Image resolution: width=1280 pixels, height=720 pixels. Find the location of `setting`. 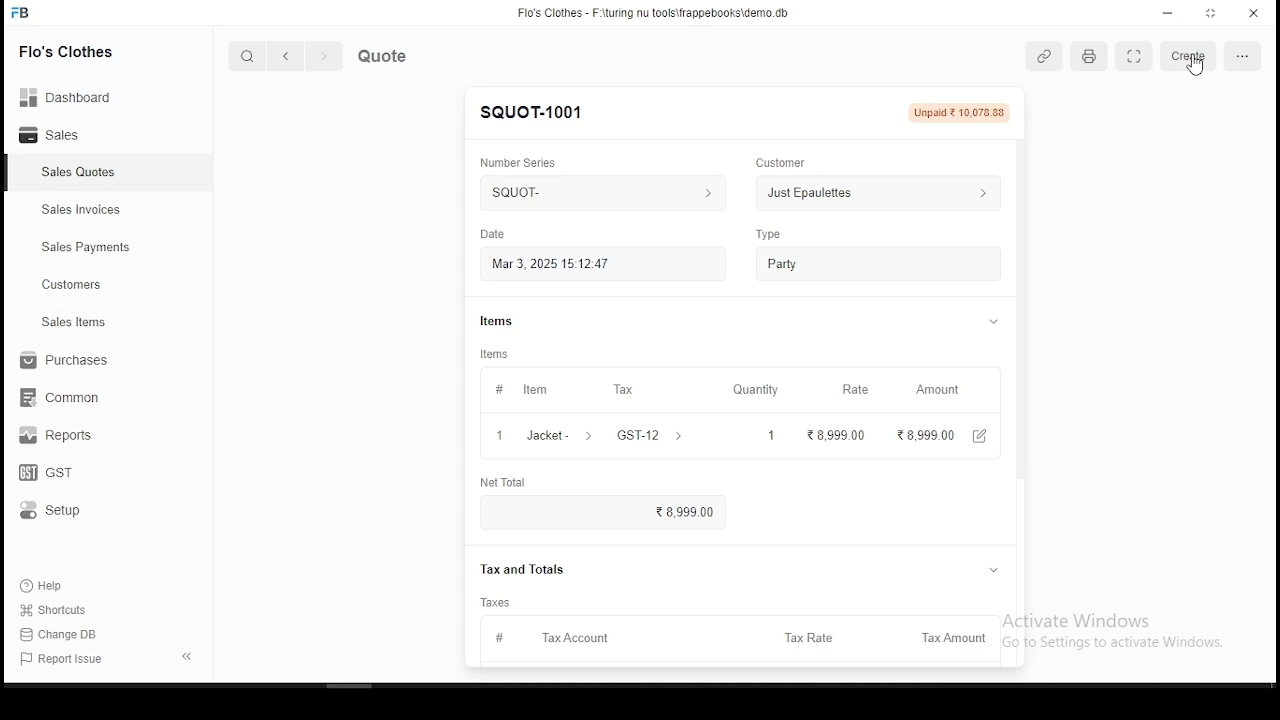

setting is located at coordinates (1238, 56).